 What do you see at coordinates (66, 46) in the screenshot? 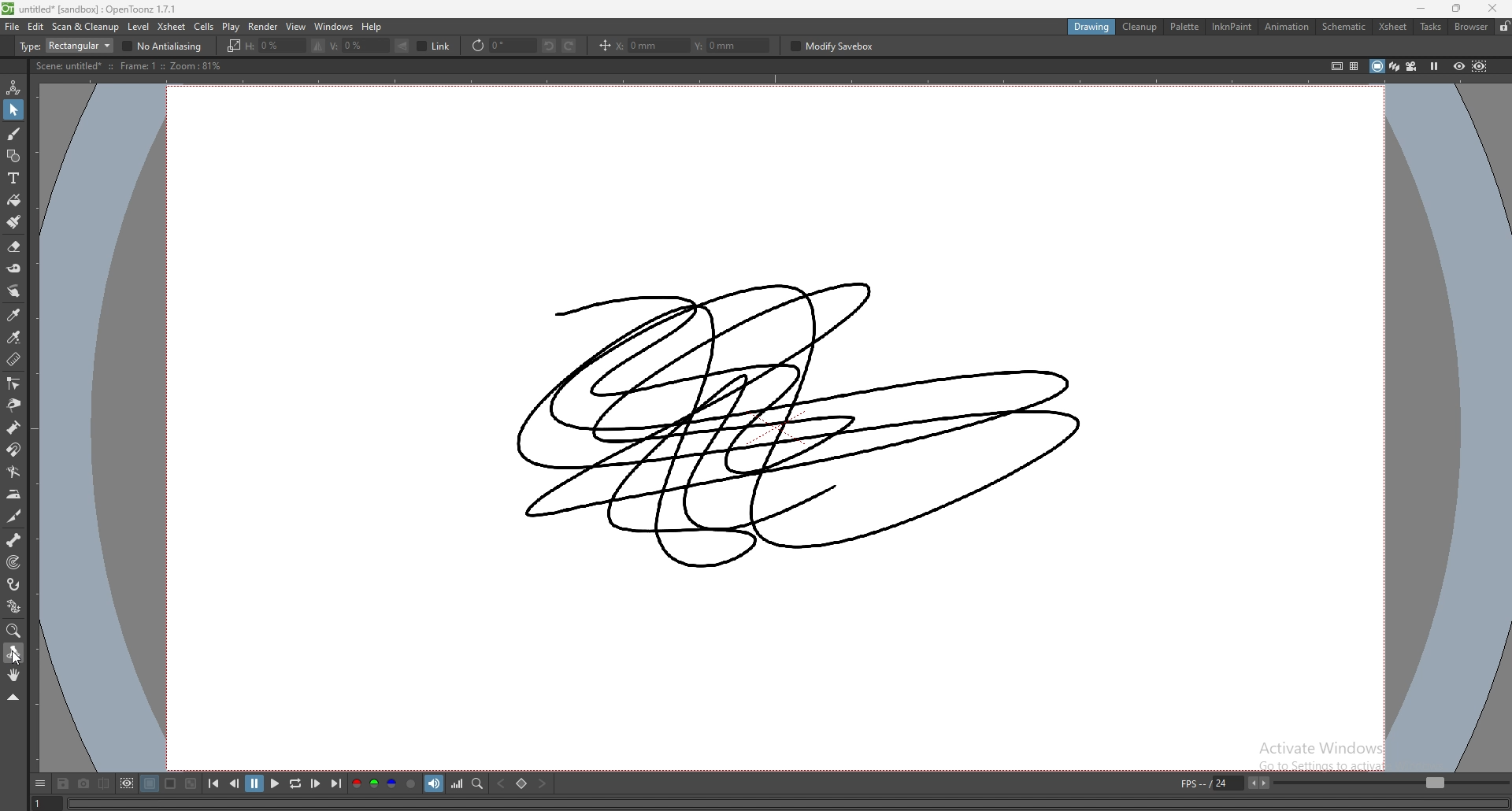
I see `type` at bounding box center [66, 46].